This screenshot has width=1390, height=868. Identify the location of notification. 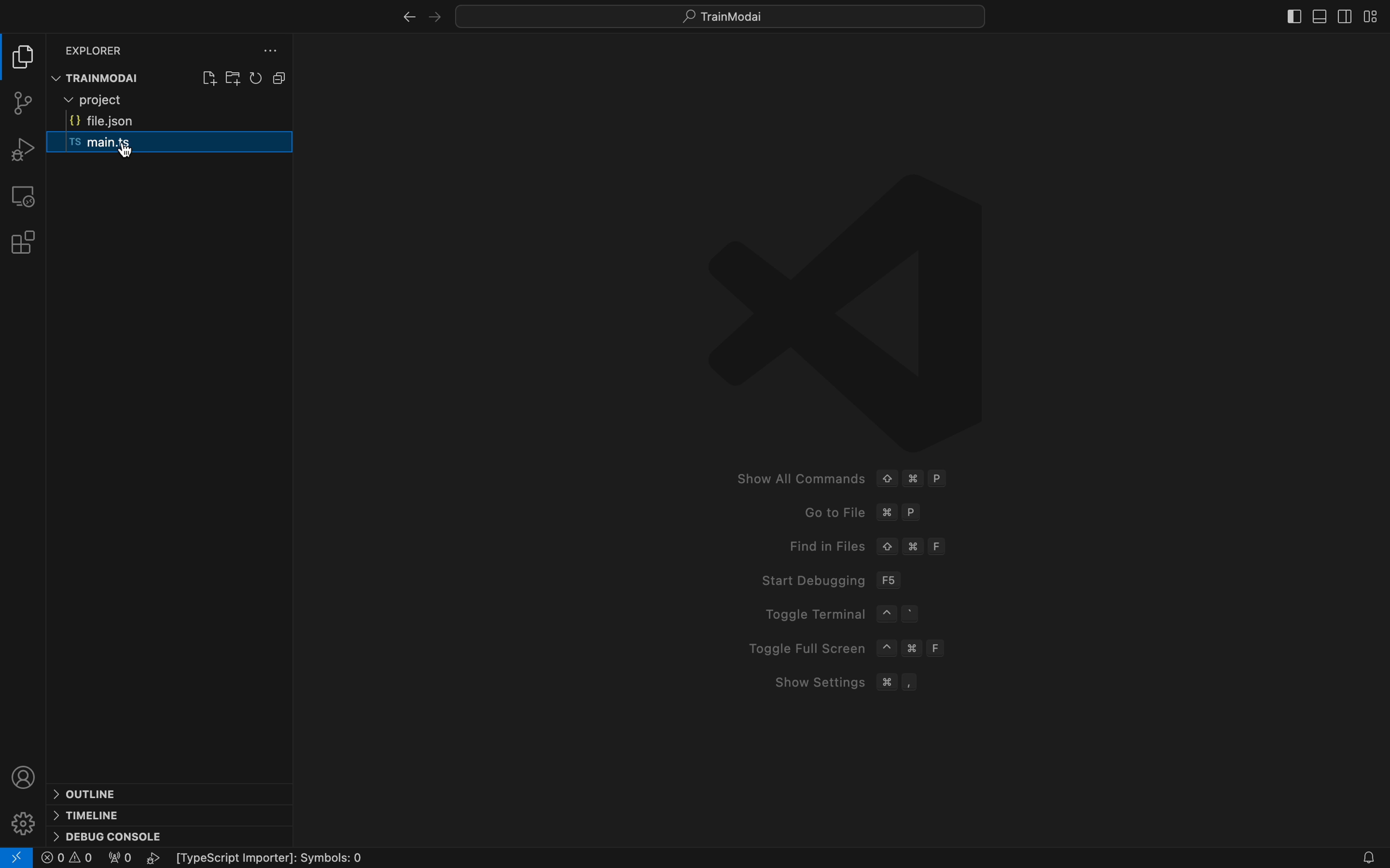
(1354, 854).